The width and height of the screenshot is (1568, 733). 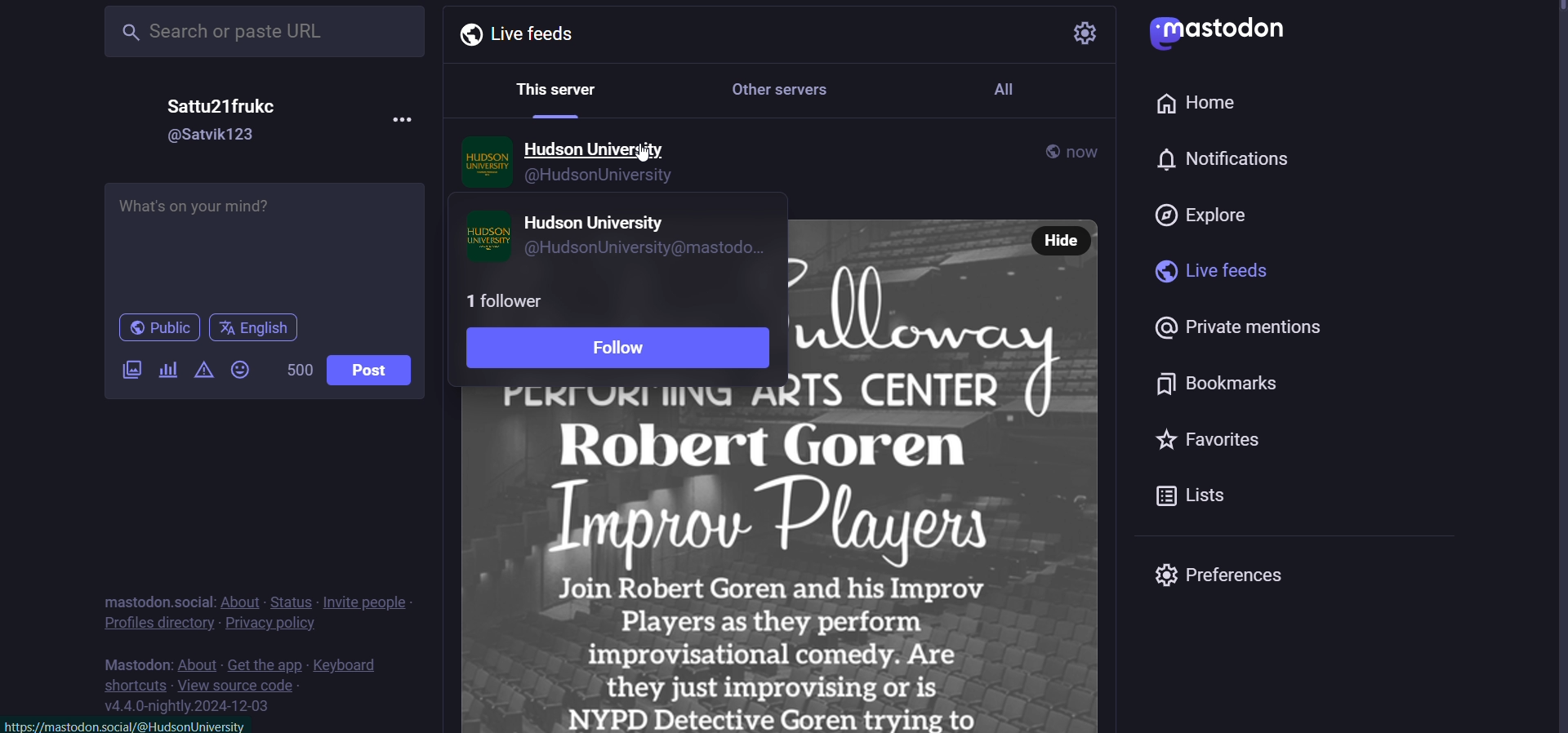 I want to click on Sattu21frukc, so click(x=240, y=105).